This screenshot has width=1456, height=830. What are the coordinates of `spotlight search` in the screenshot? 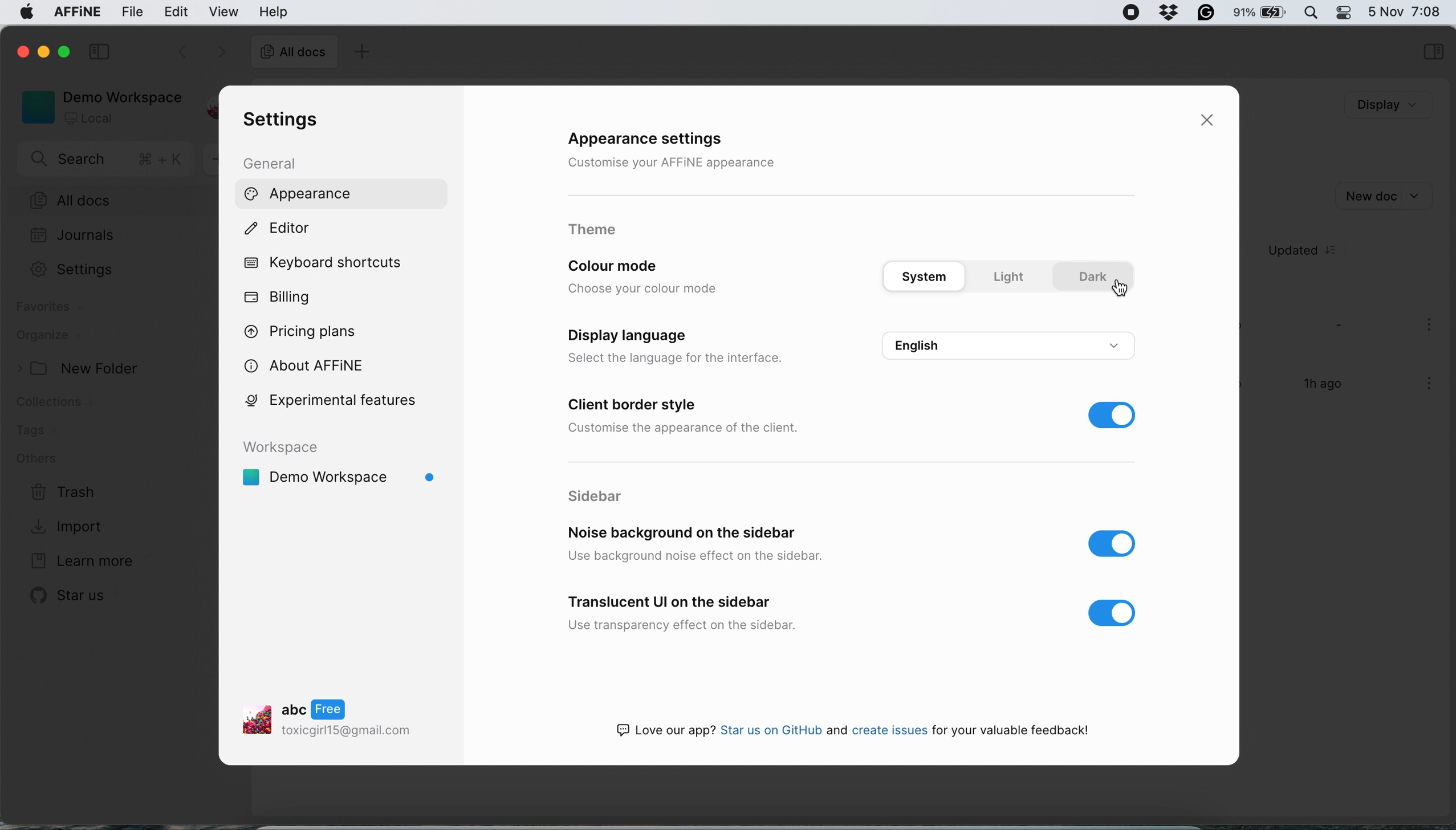 It's located at (1313, 13).